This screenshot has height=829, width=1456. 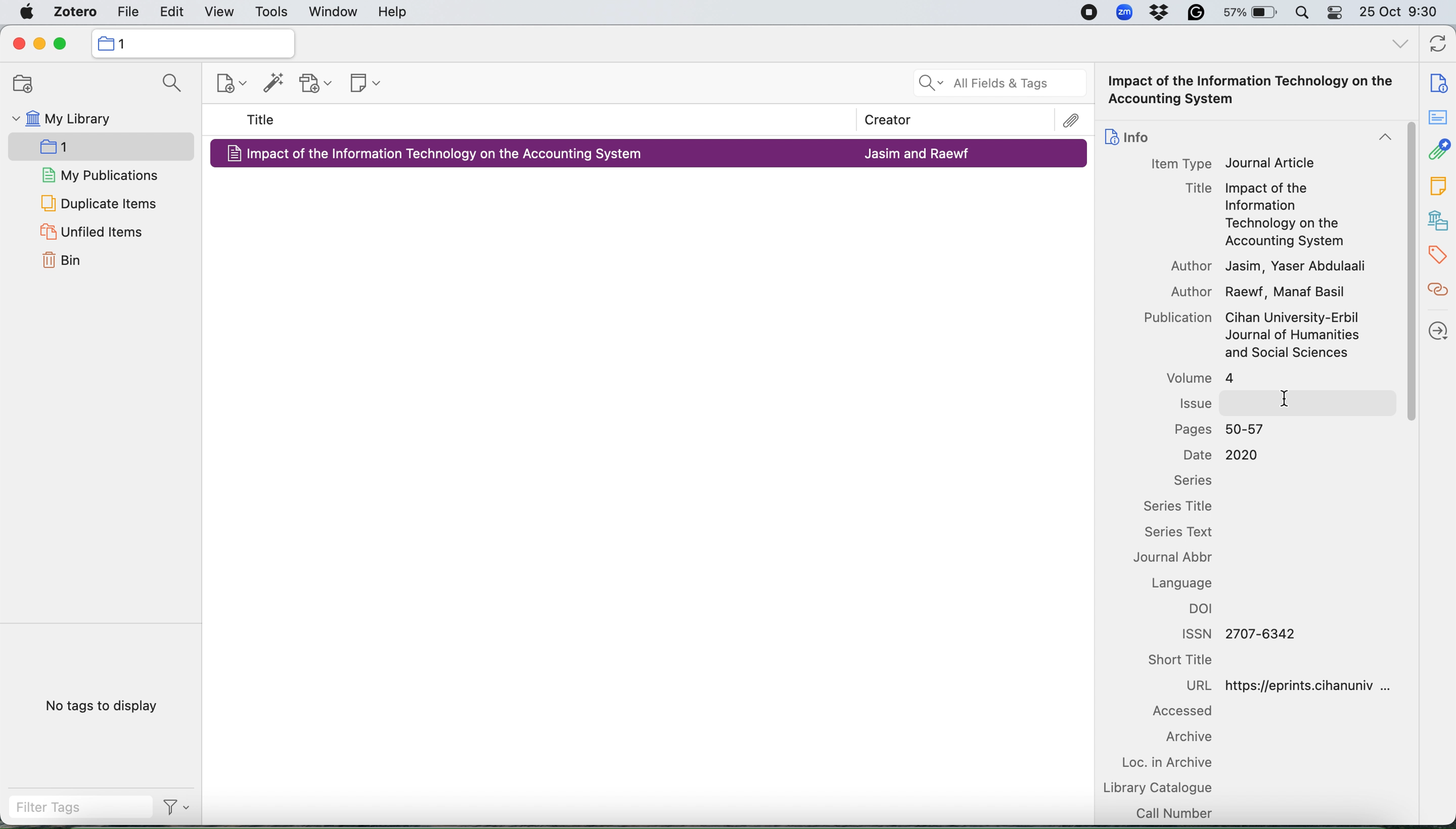 I want to click on window, so click(x=333, y=12).